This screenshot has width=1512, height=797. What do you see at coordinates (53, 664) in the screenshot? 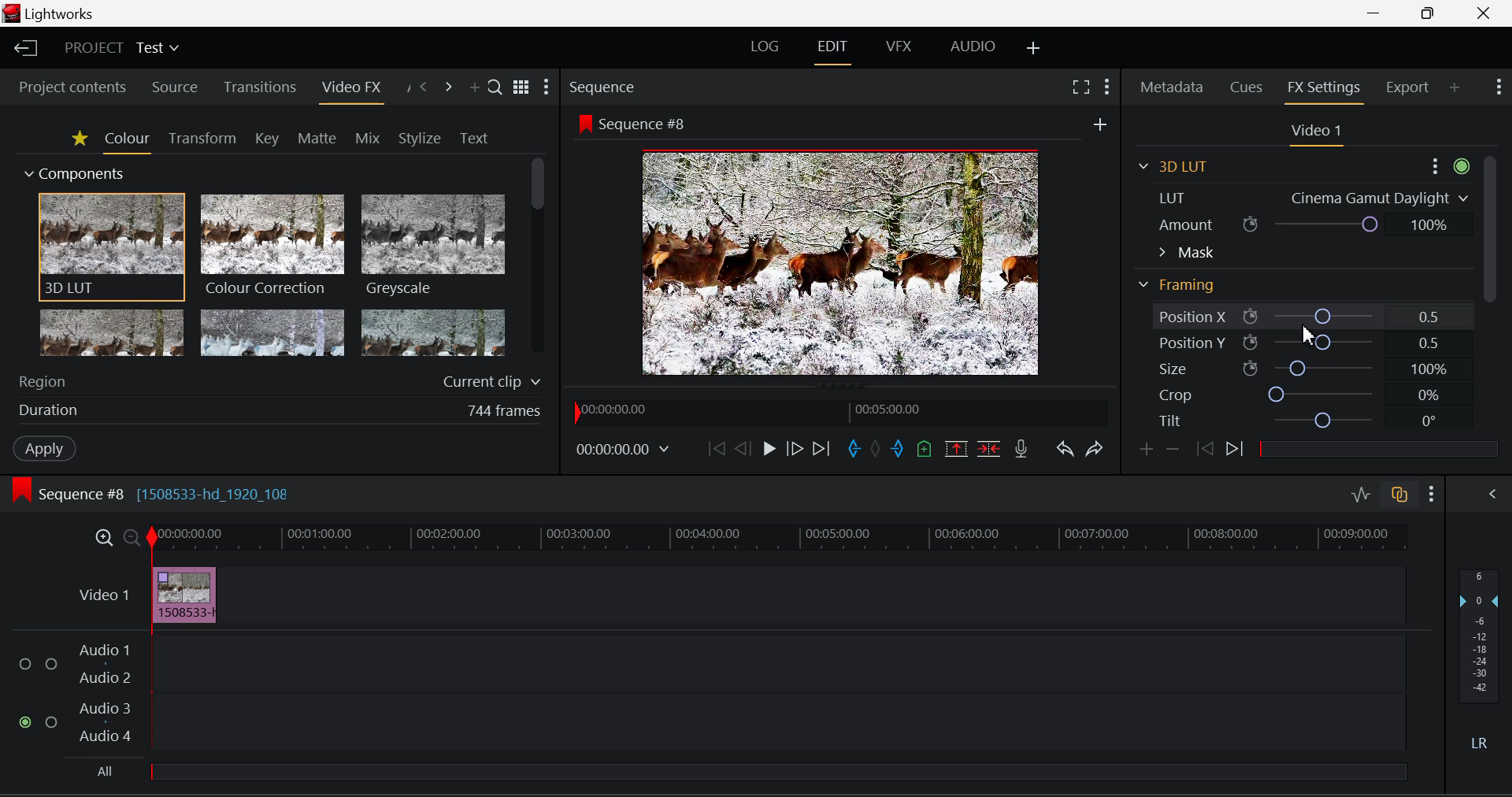
I see `Audio Input Checkbox` at bounding box center [53, 664].